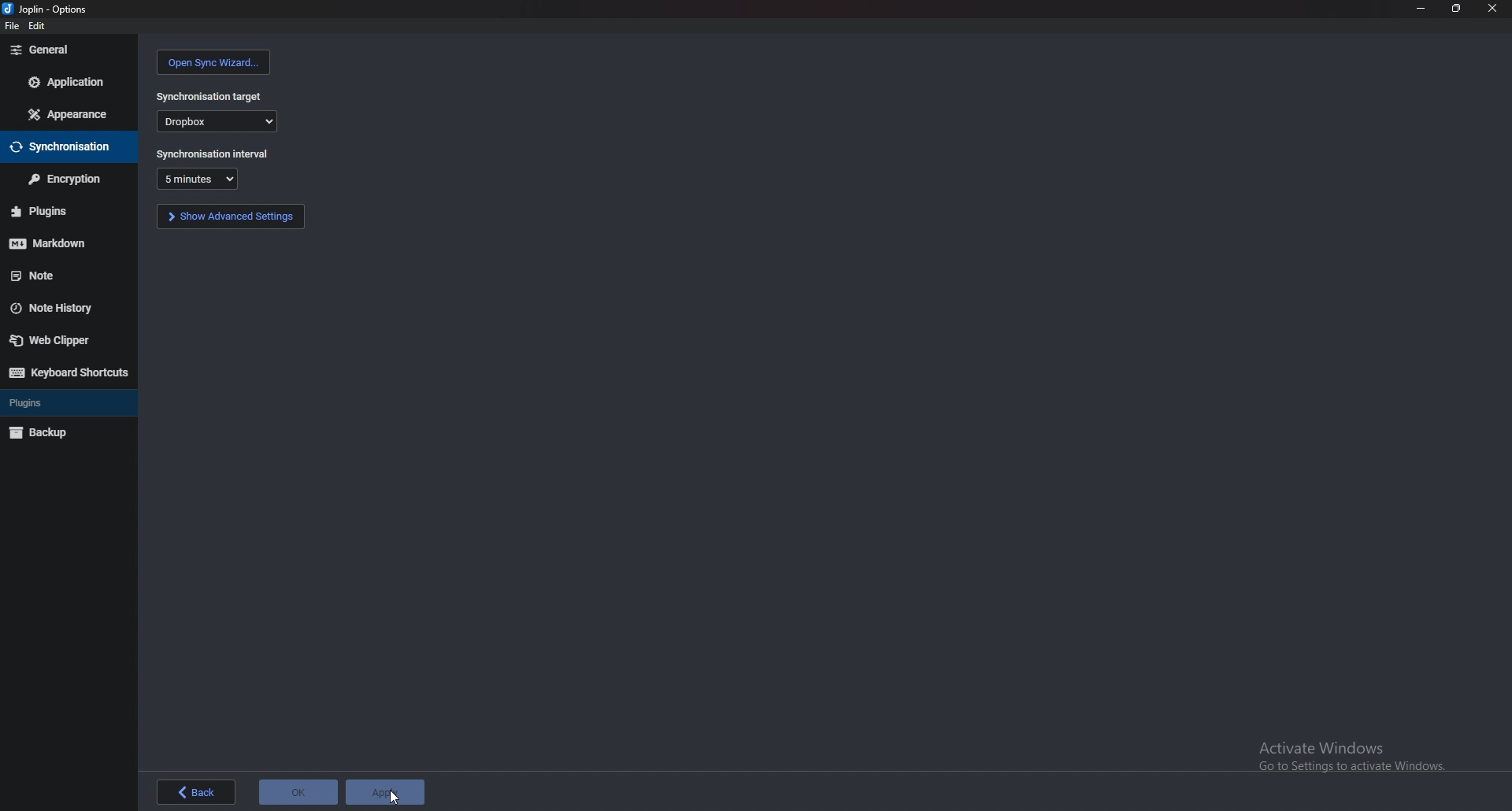  What do you see at coordinates (61, 243) in the screenshot?
I see `markdown` at bounding box center [61, 243].